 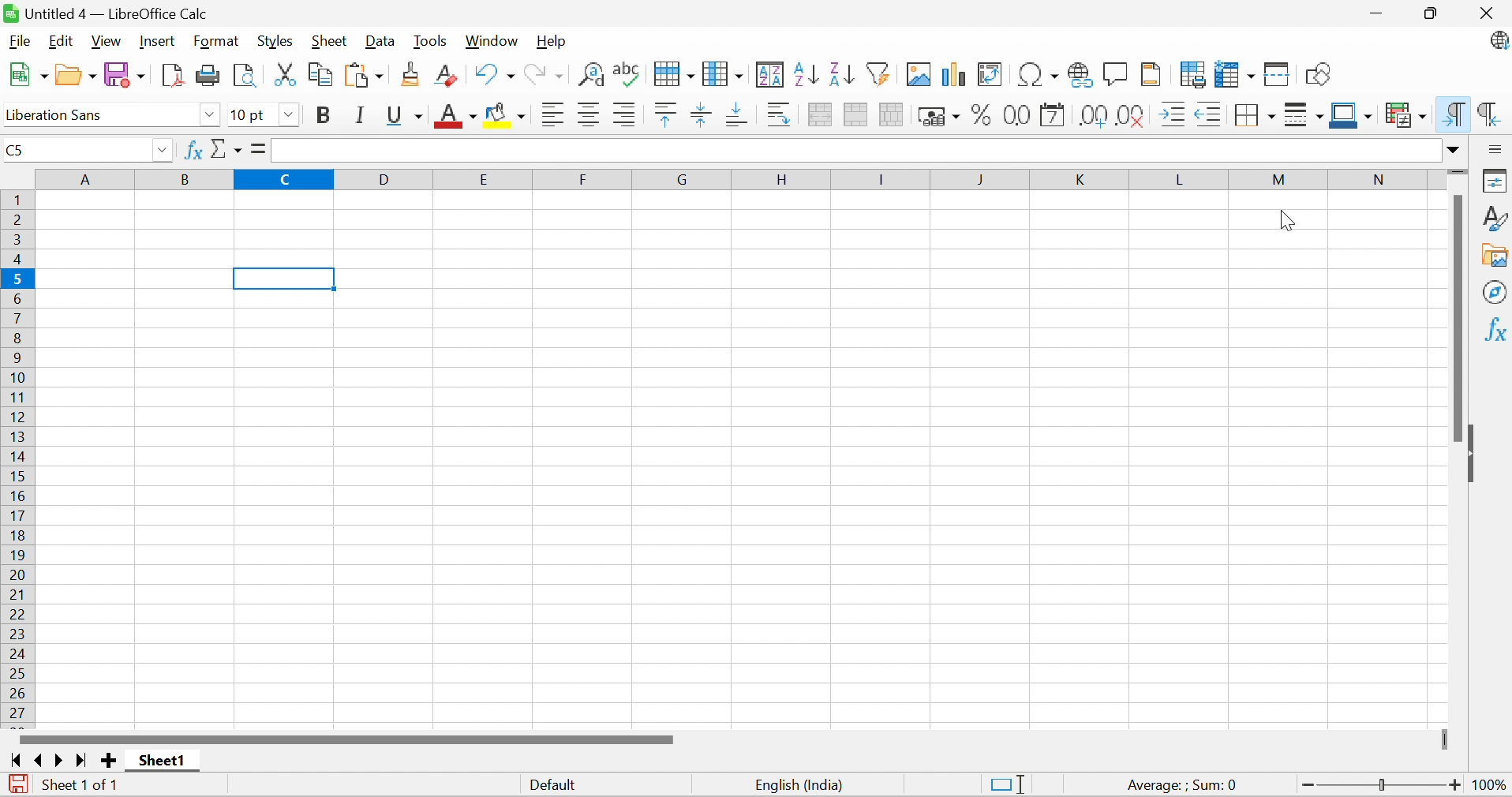 What do you see at coordinates (1456, 316) in the screenshot?
I see `Scroll bar` at bounding box center [1456, 316].